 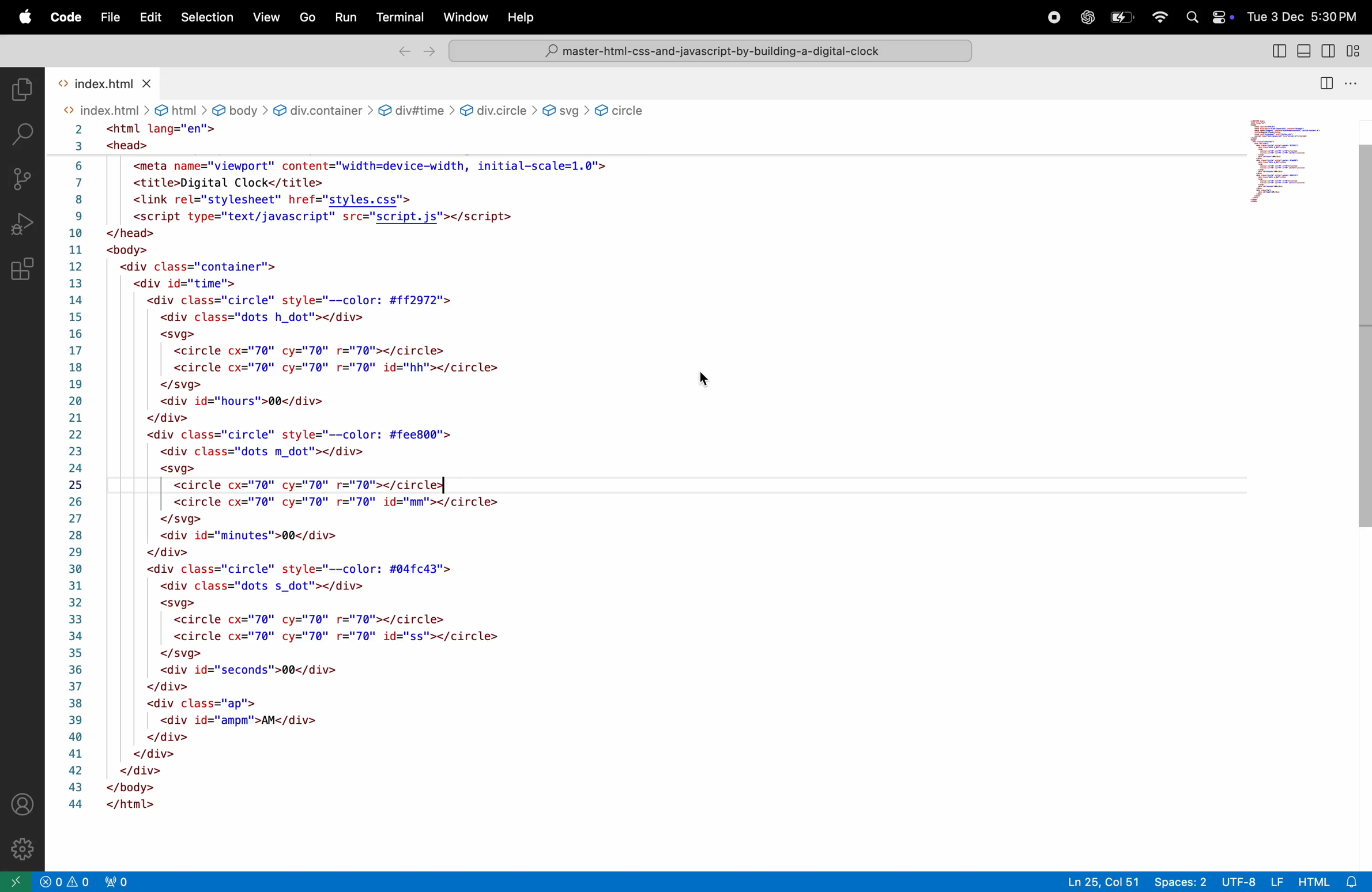 What do you see at coordinates (307, 17) in the screenshot?
I see `Go` at bounding box center [307, 17].